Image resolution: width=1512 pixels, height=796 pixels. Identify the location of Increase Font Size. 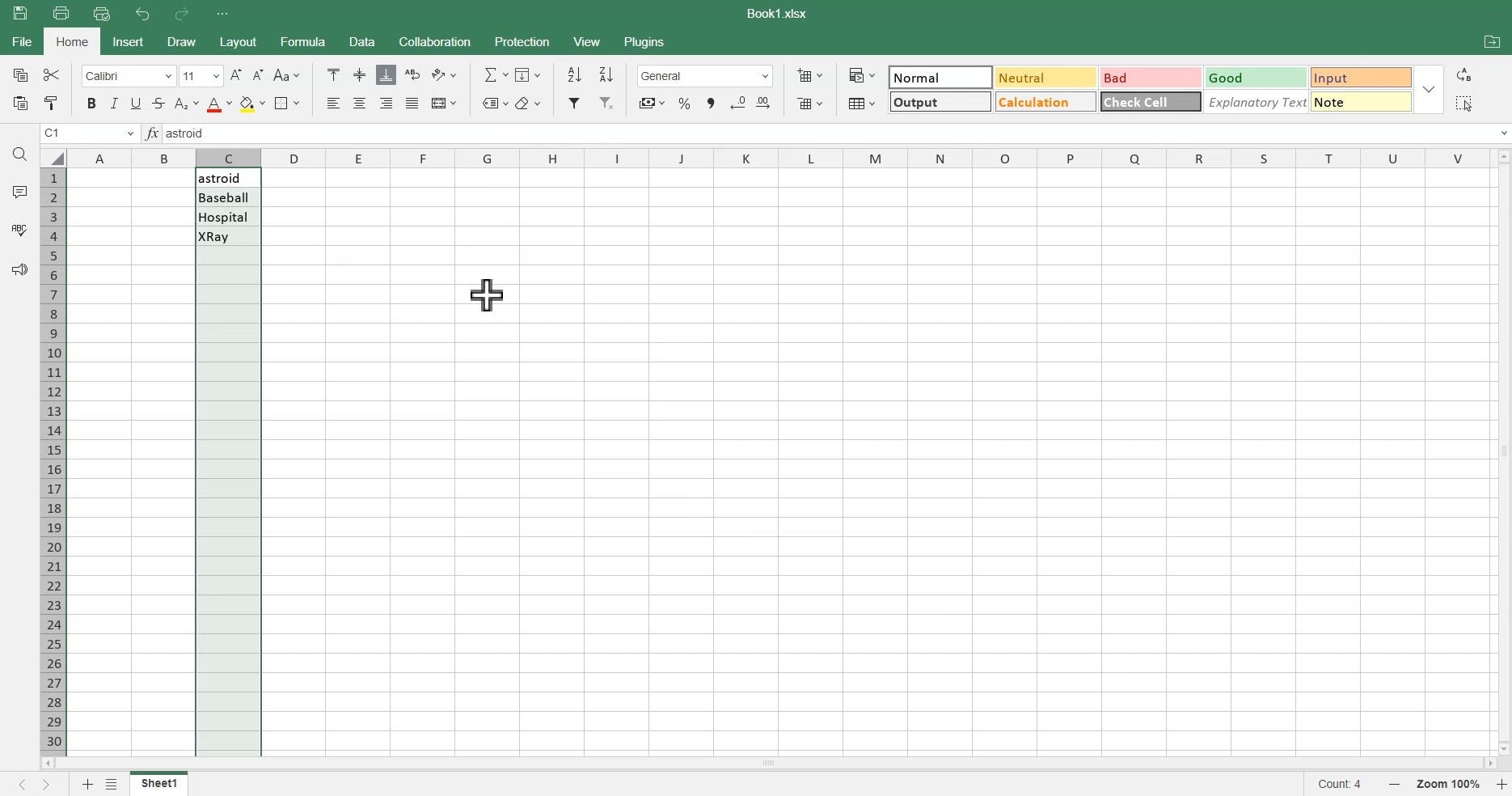
(236, 74).